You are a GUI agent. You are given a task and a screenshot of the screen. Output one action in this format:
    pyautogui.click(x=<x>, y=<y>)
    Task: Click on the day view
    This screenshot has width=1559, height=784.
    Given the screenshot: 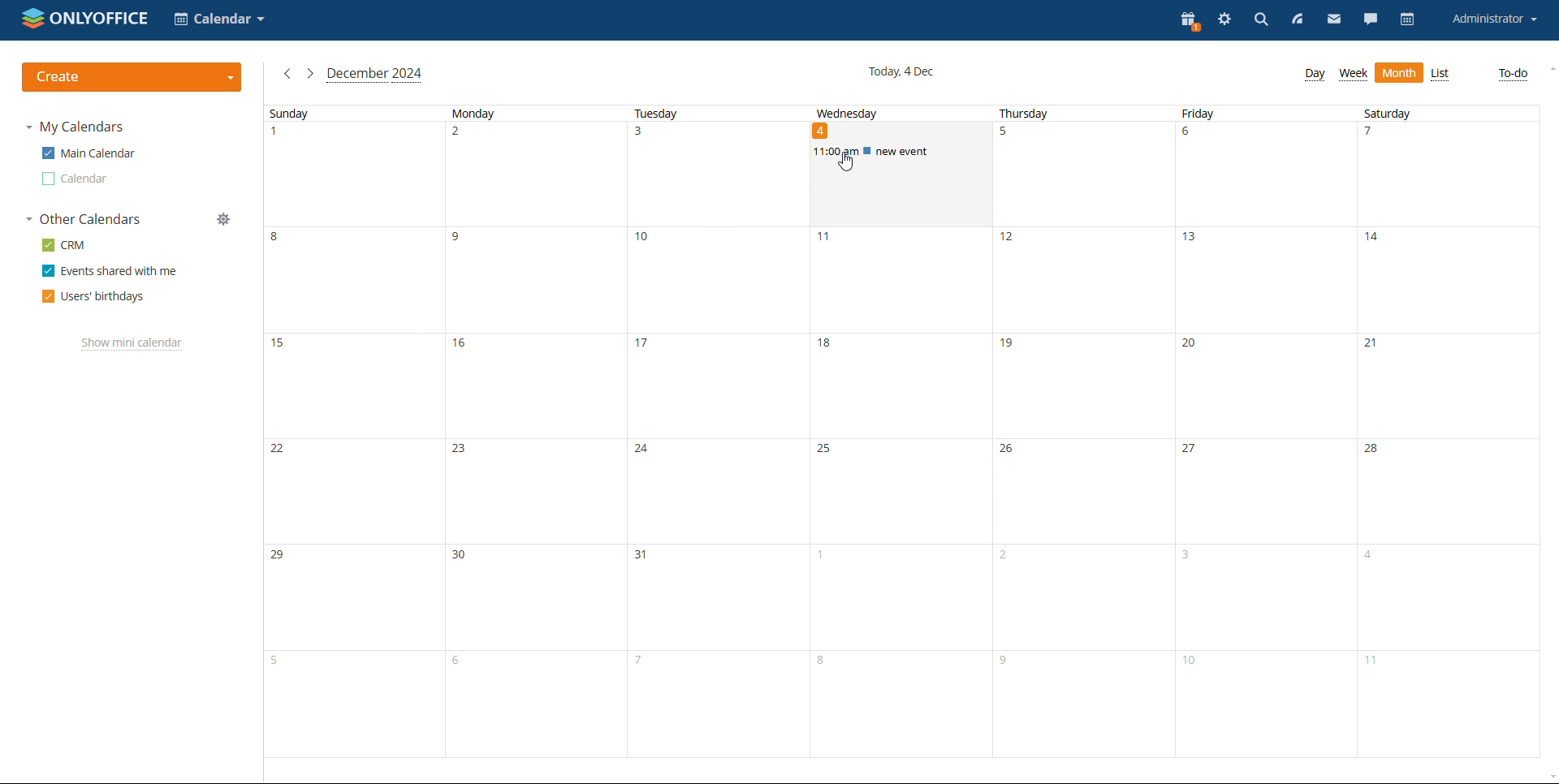 What is the action you would take?
    pyautogui.click(x=1314, y=75)
    